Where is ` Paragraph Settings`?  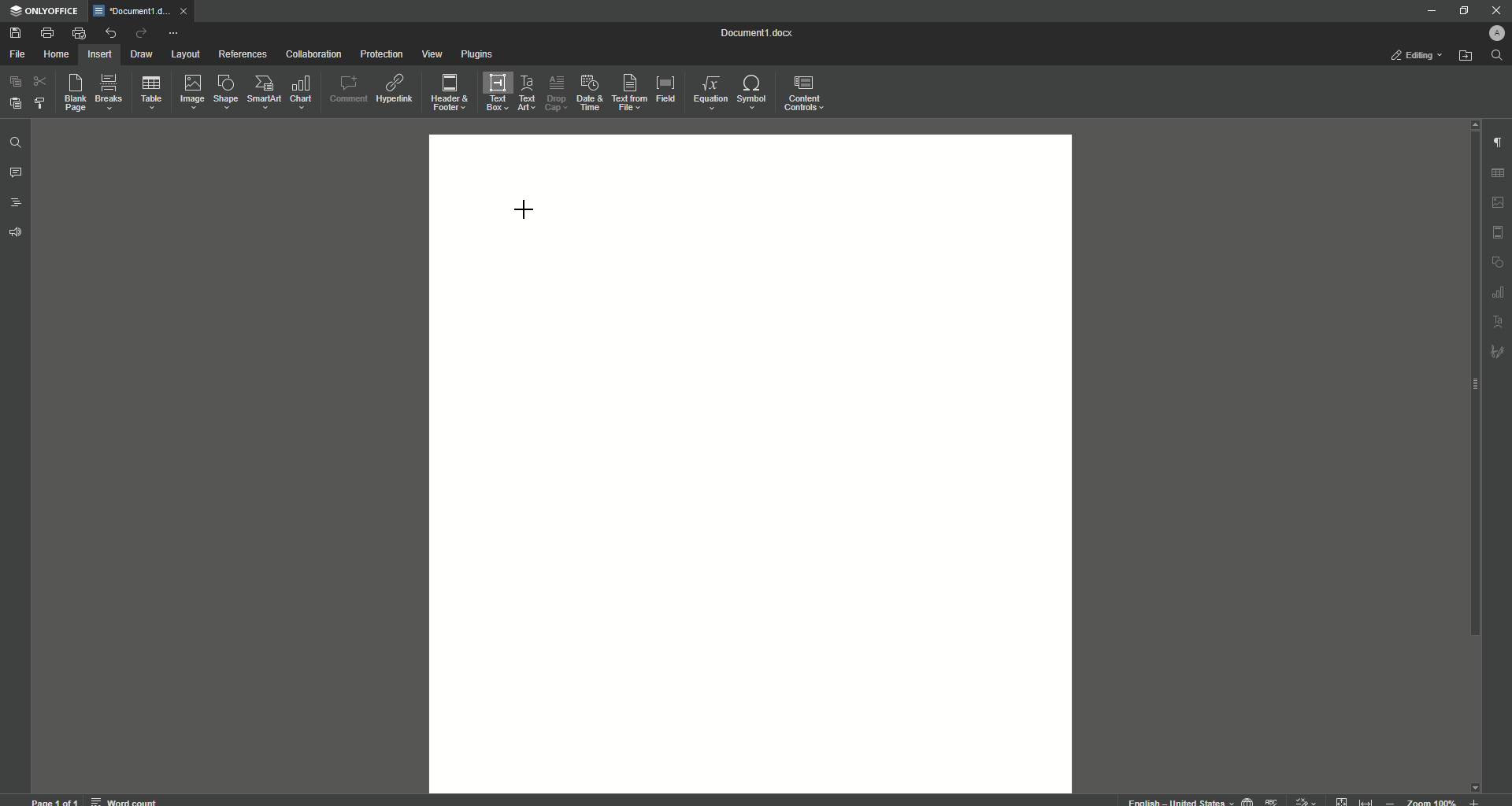
 Paragraph Settings is located at coordinates (1496, 142).